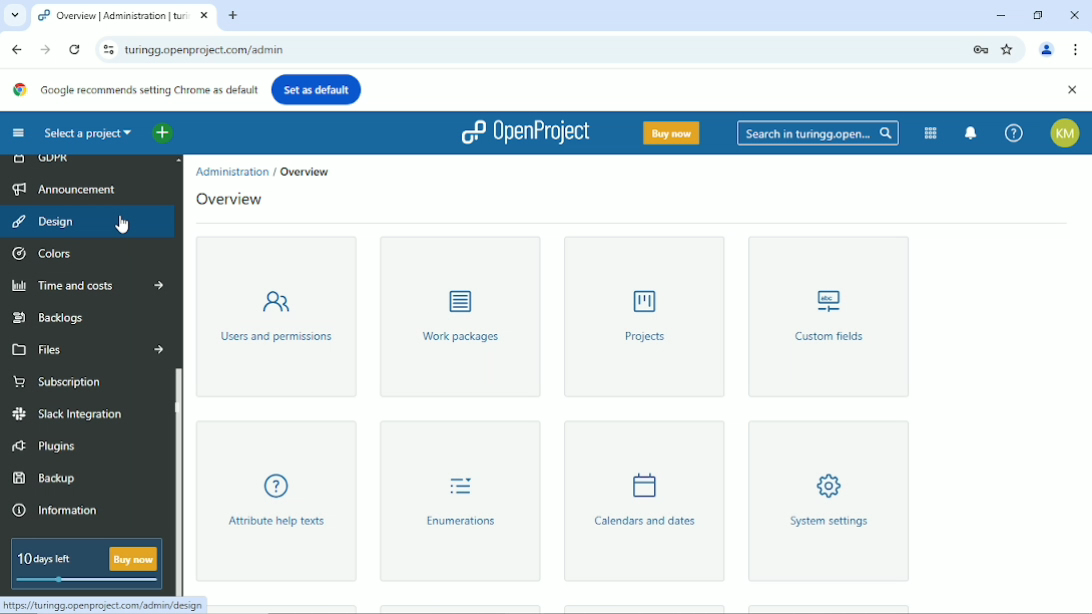 This screenshot has height=614, width=1092. Describe the element at coordinates (831, 317) in the screenshot. I see `Custom fields` at that location.